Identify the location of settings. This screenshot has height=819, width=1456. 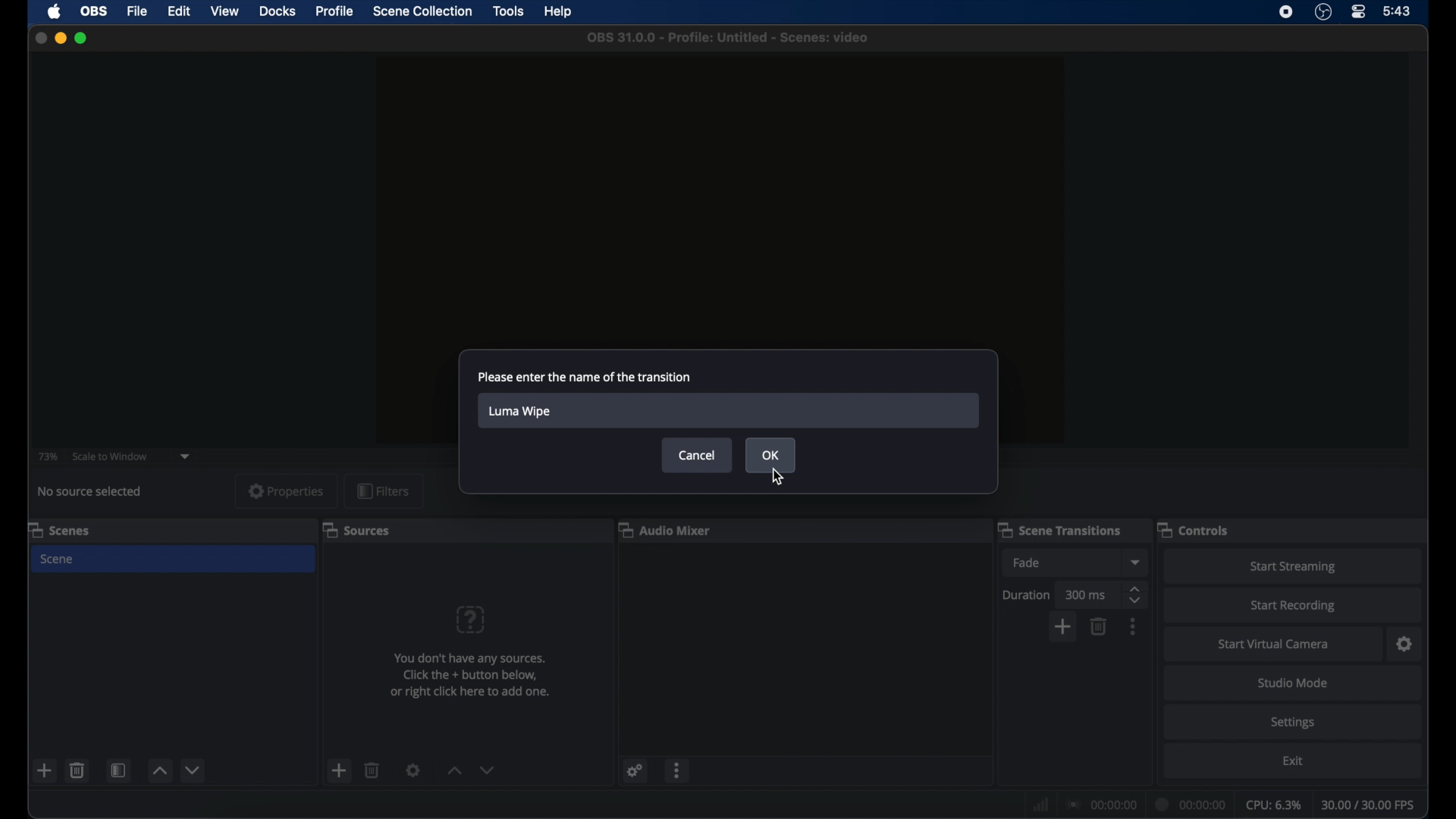
(1404, 645).